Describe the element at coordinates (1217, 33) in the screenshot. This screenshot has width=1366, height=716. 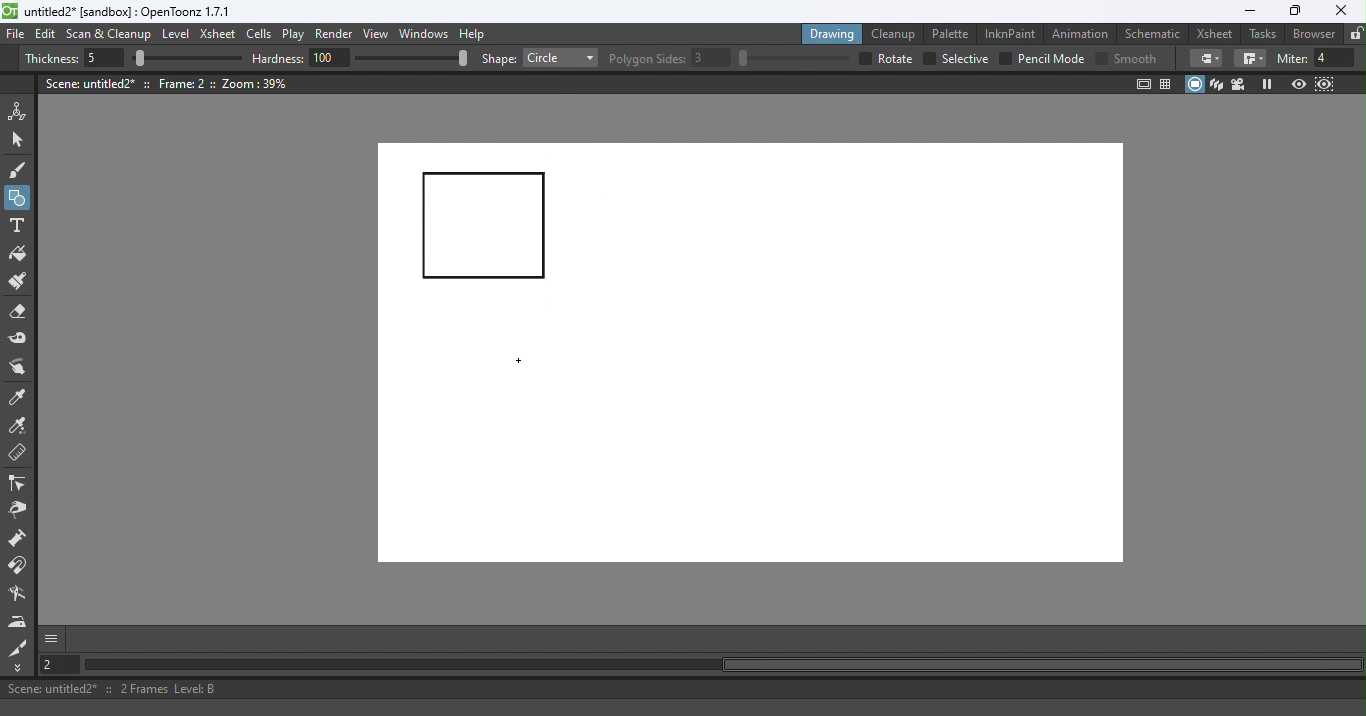
I see `Xsheet` at that location.